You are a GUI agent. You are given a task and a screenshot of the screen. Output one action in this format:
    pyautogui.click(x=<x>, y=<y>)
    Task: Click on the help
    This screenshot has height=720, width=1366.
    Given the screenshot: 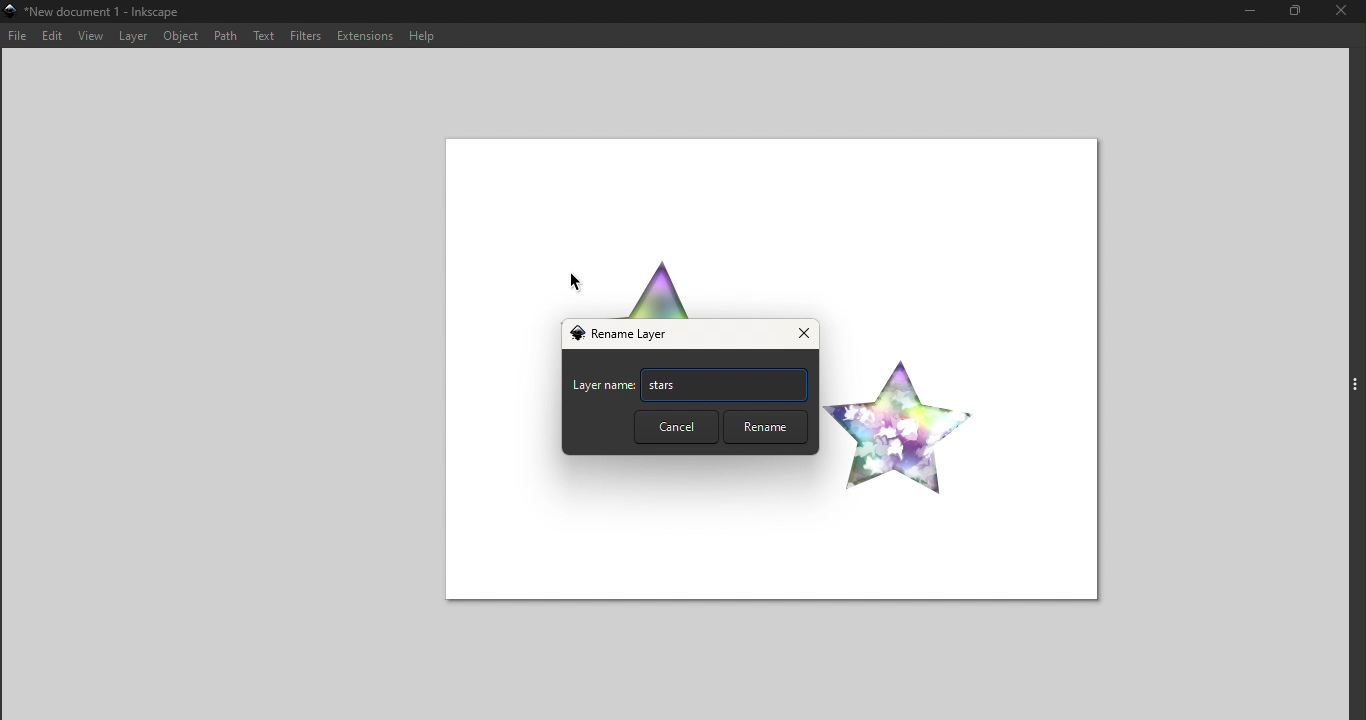 What is the action you would take?
    pyautogui.click(x=419, y=34)
    